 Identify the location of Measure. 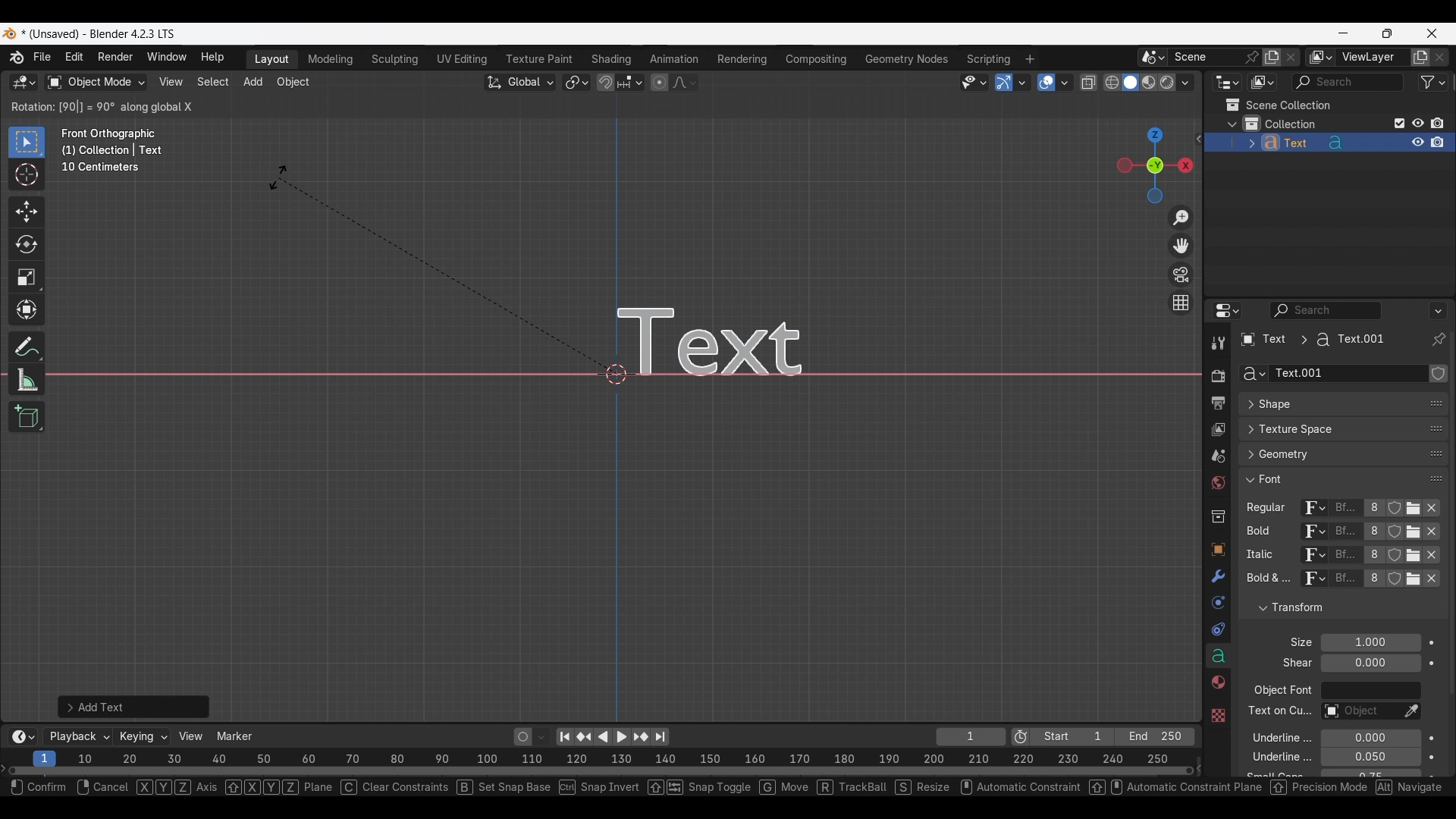
(27, 380).